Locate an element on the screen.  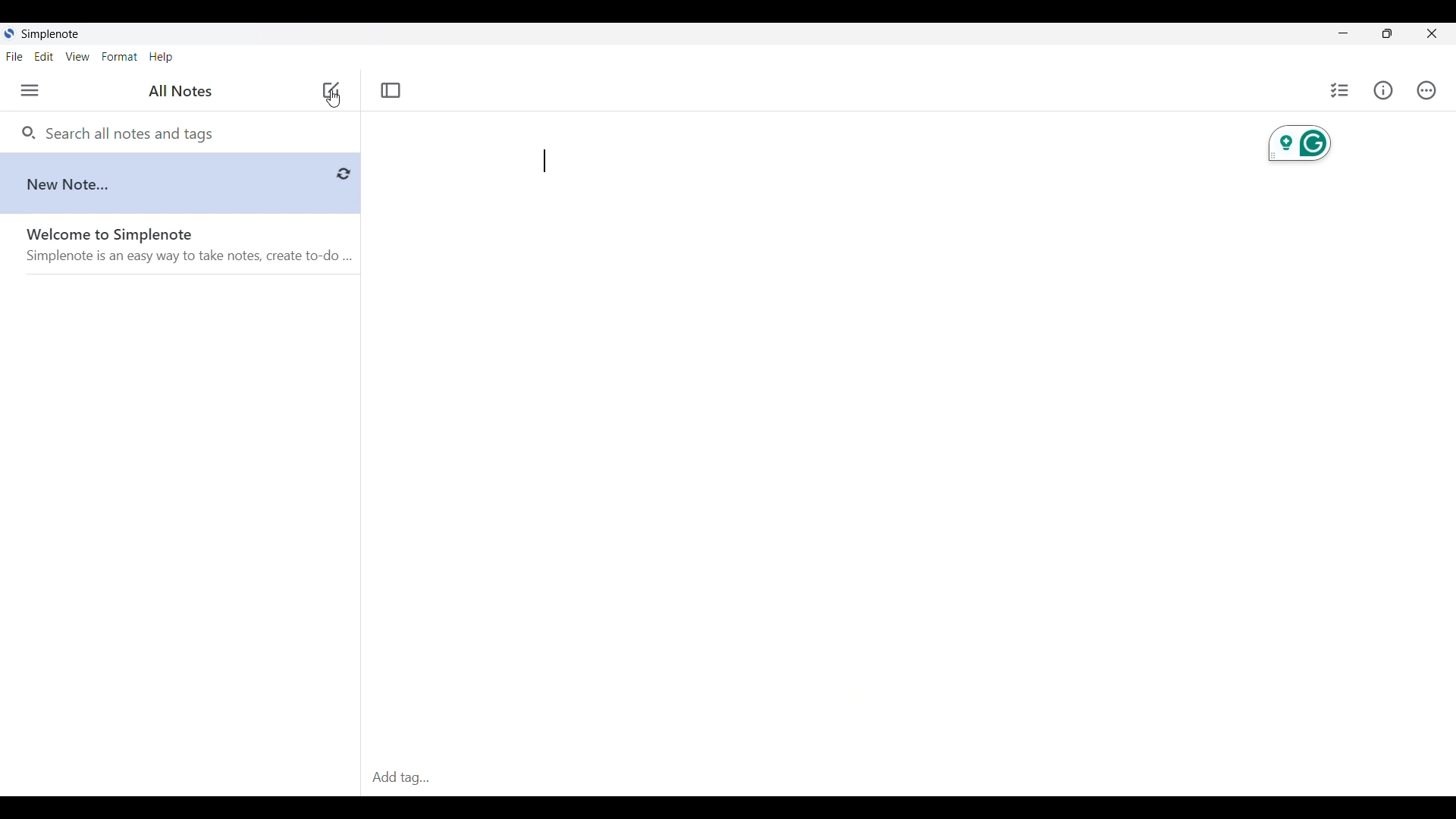
Grammarly extension is located at coordinates (1300, 143).